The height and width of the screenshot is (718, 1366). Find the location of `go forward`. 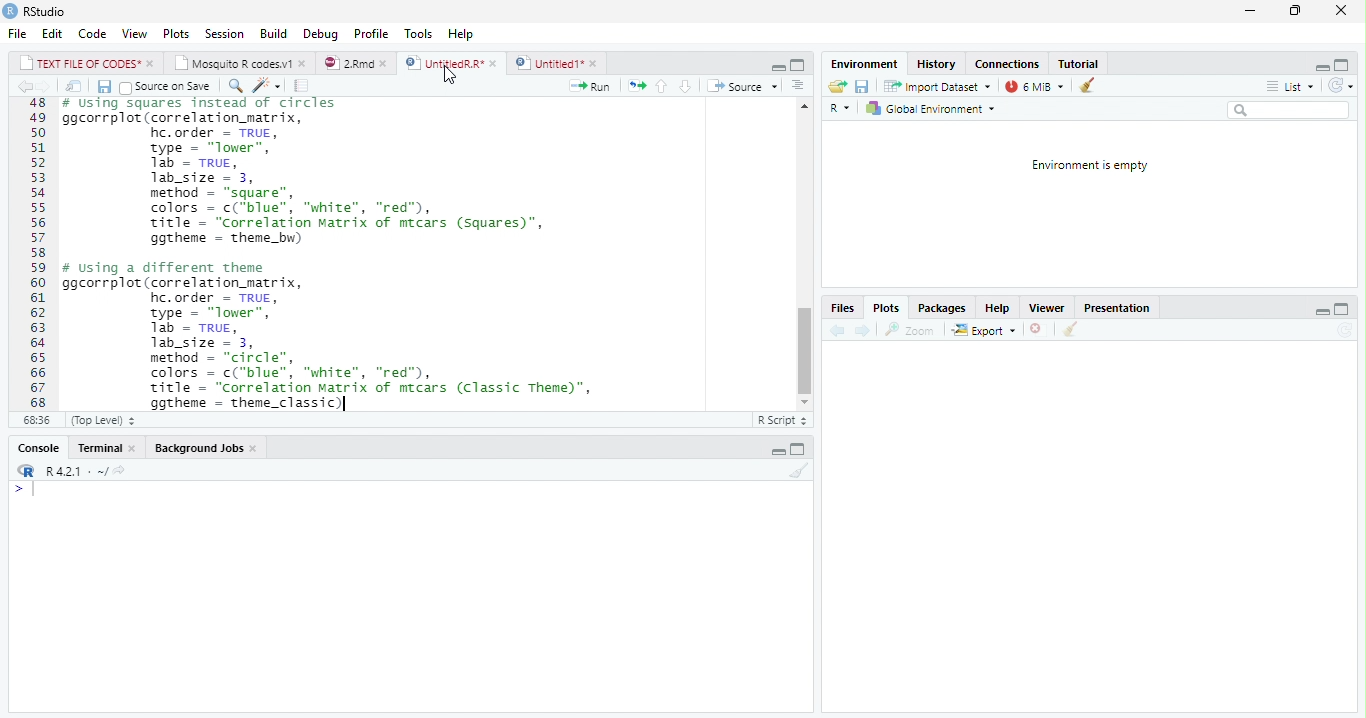

go forward is located at coordinates (863, 332).